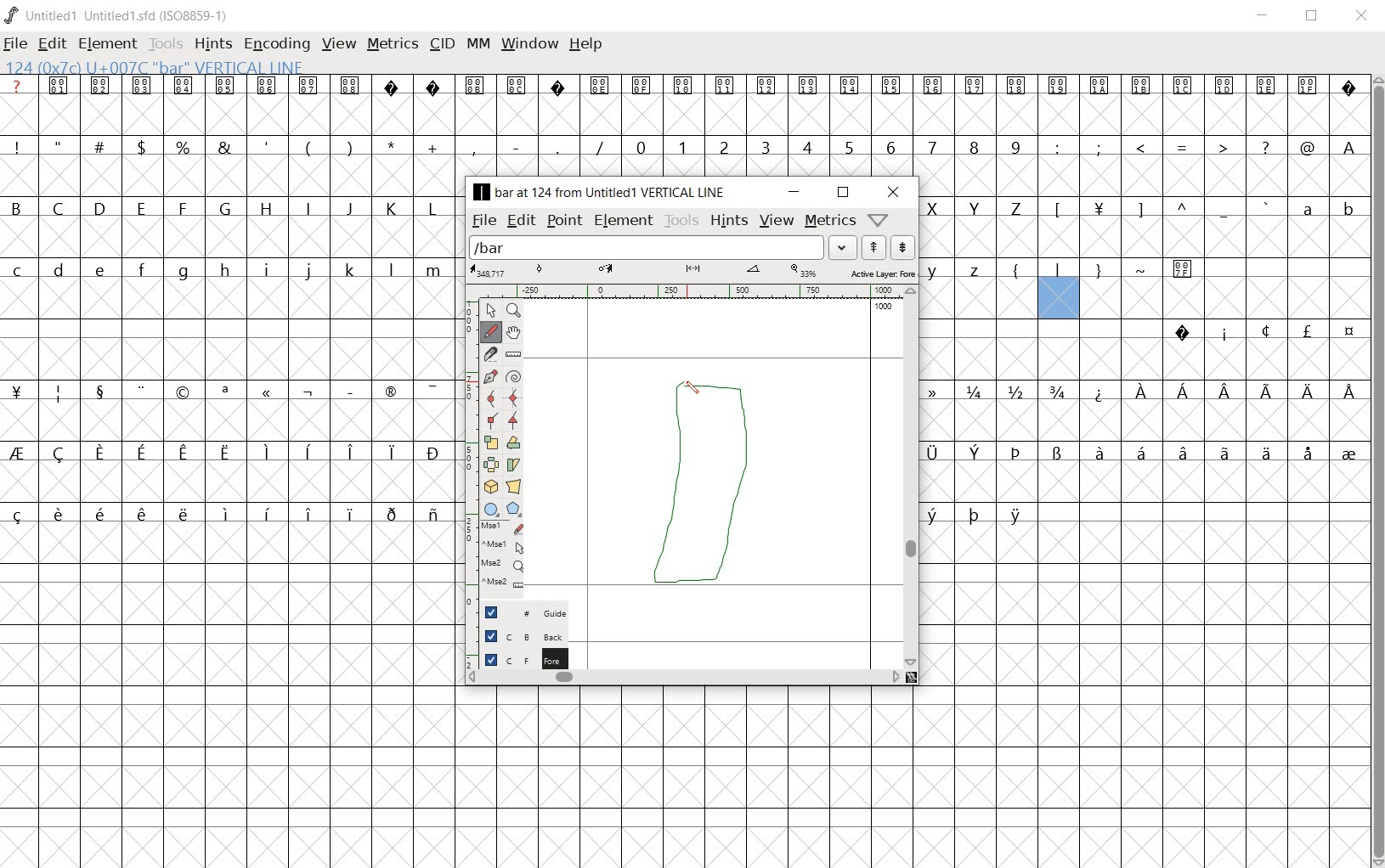 The image size is (1385, 868). What do you see at coordinates (491, 332) in the screenshot?
I see `draw a freehand curve` at bounding box center [491, 332].